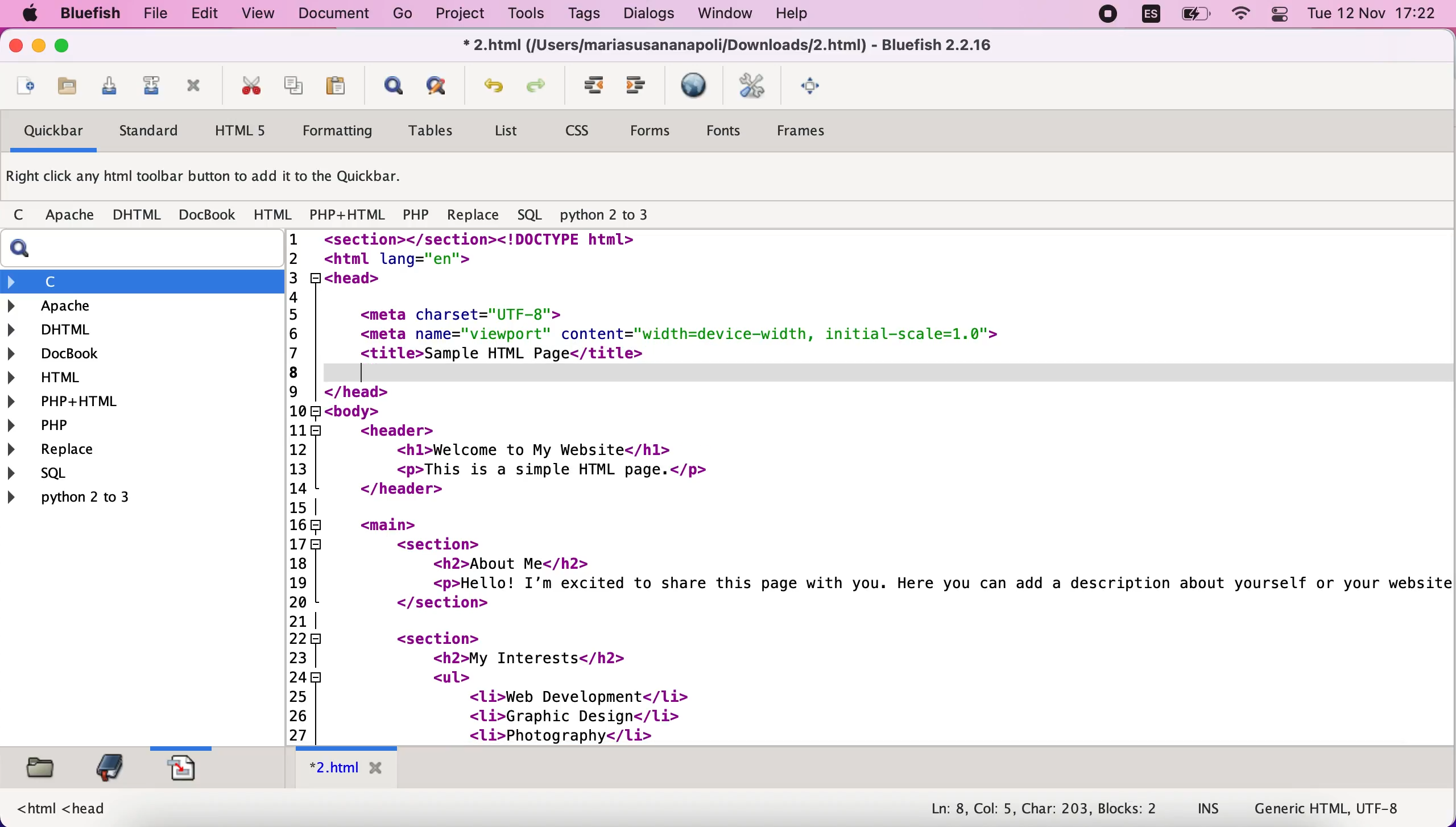 Image resolution: width=1456 pixels, height=827 pixels. I want to click on recording, so click(1107, 16).